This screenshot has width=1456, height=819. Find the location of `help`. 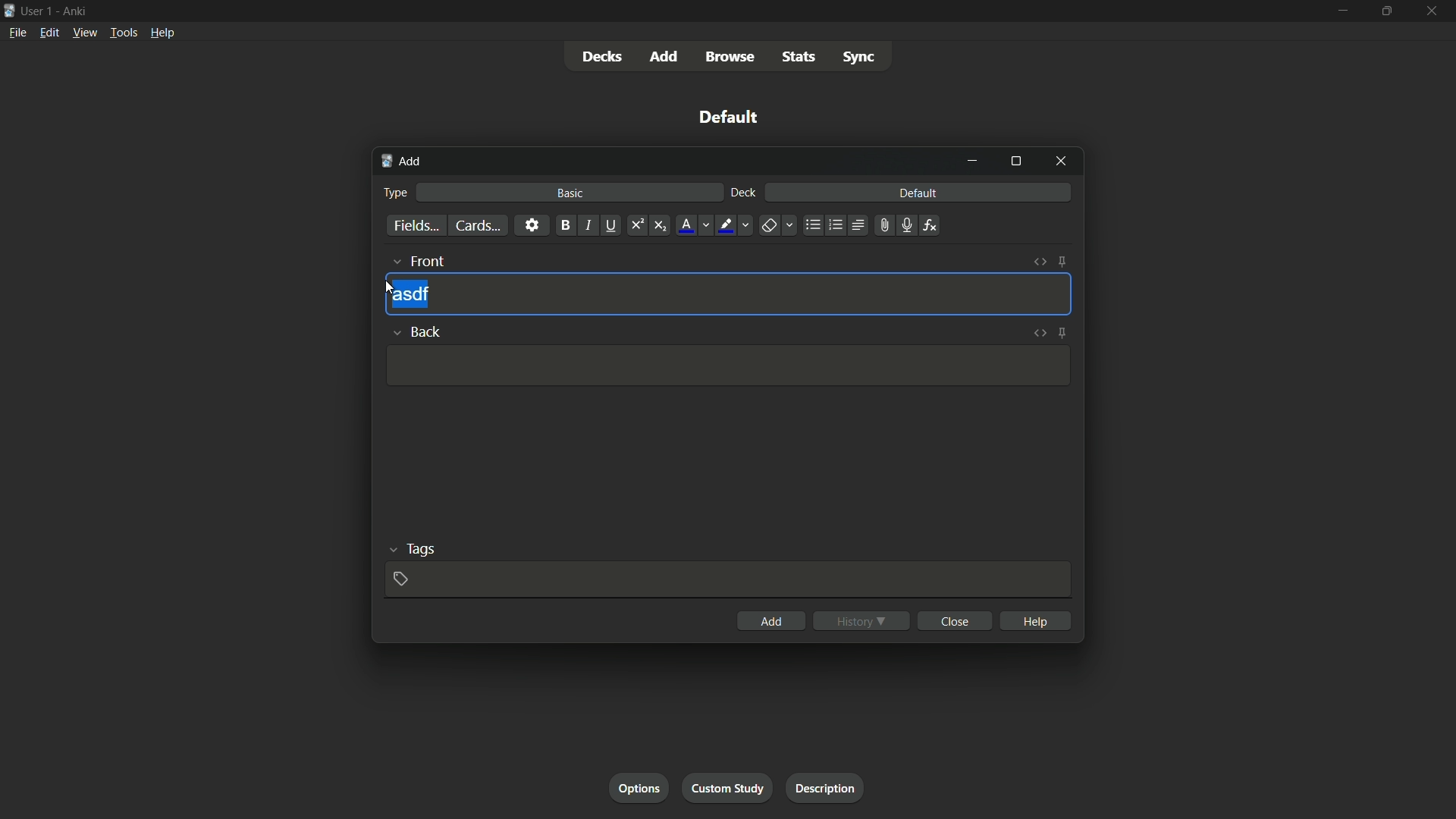

help is located at coordinates (163, 35).